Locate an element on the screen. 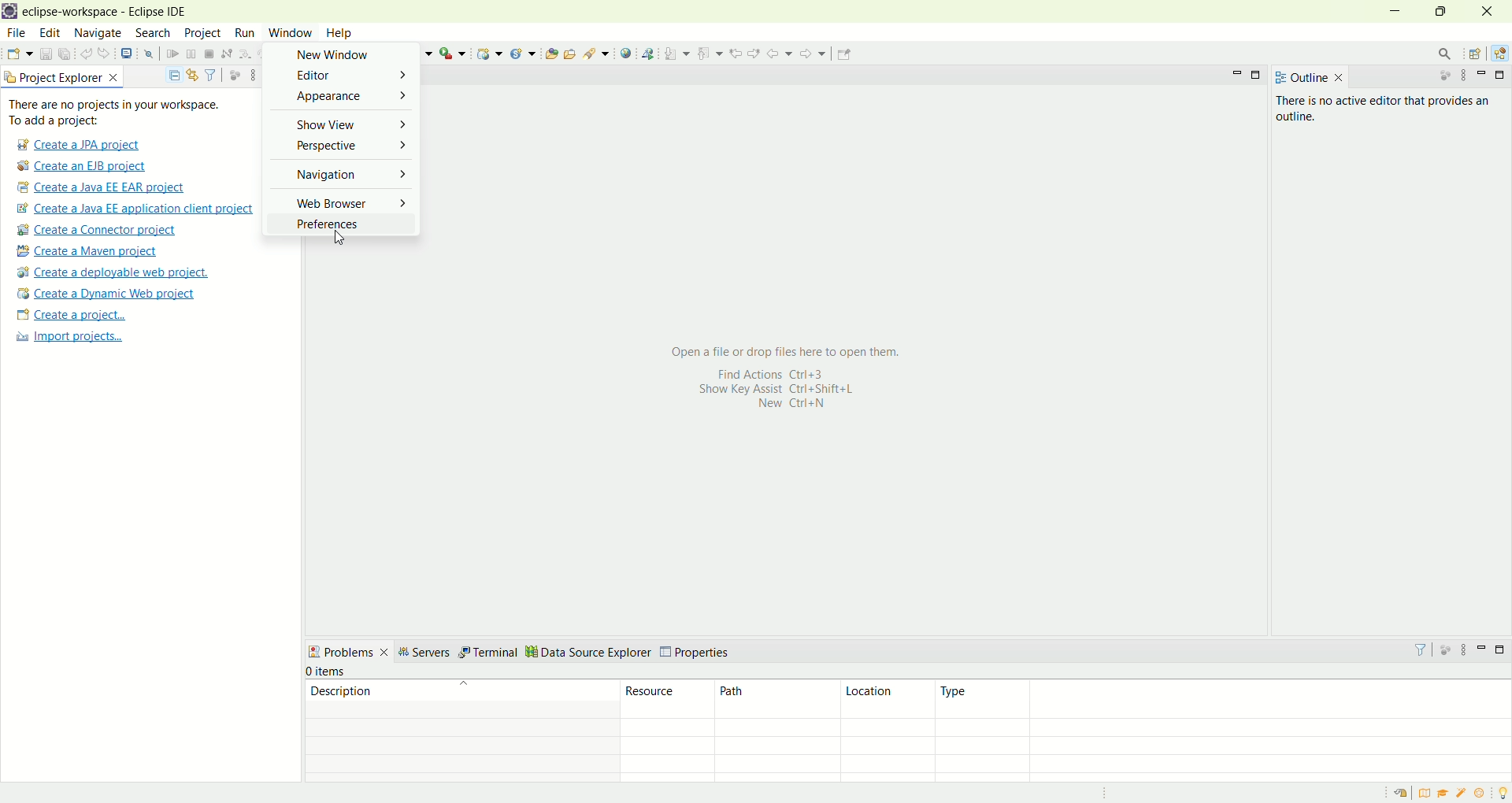  appearance is located at coordinates (342, 98).